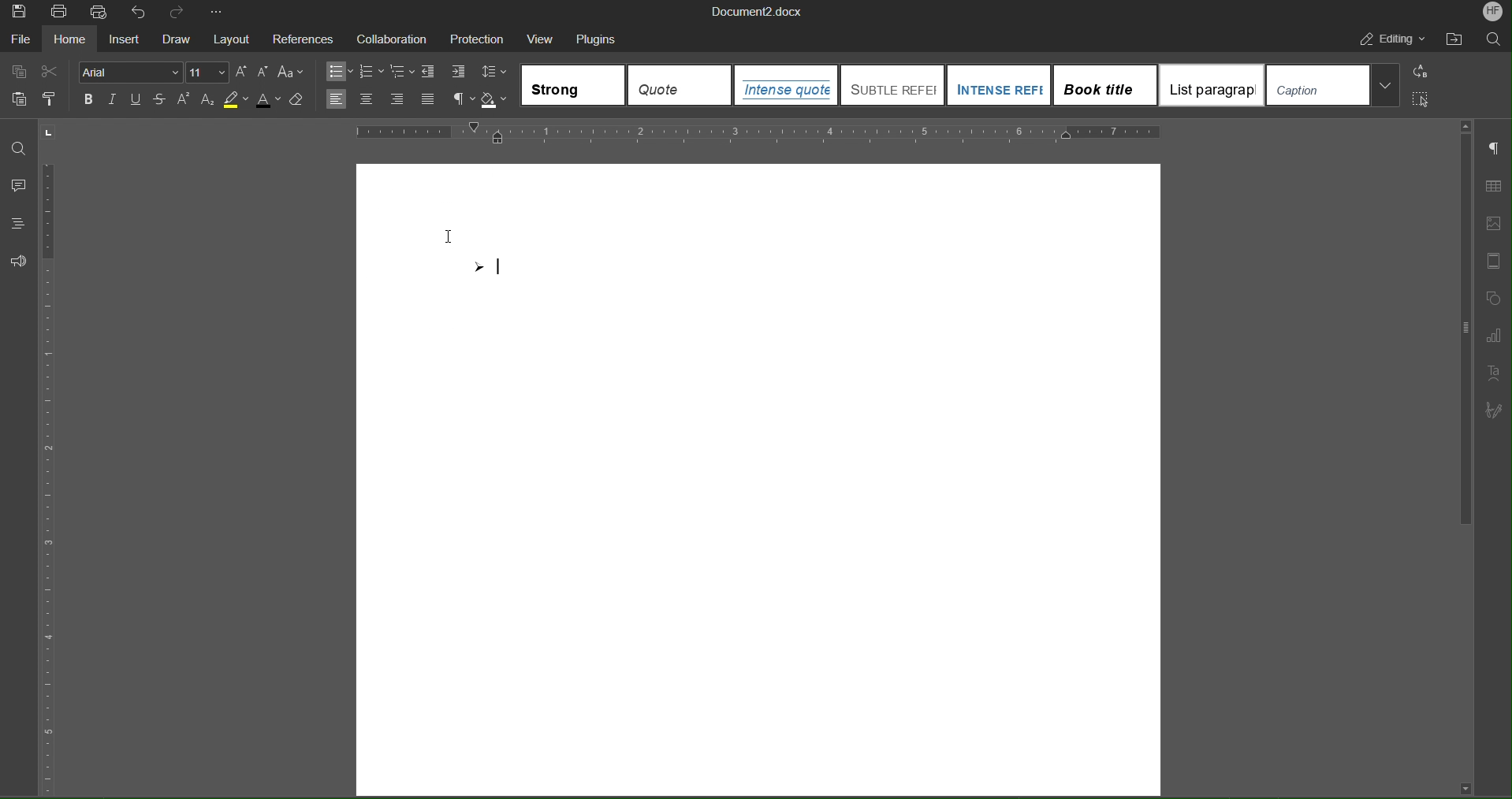  I want to click on Text Color, so click(269, 99).